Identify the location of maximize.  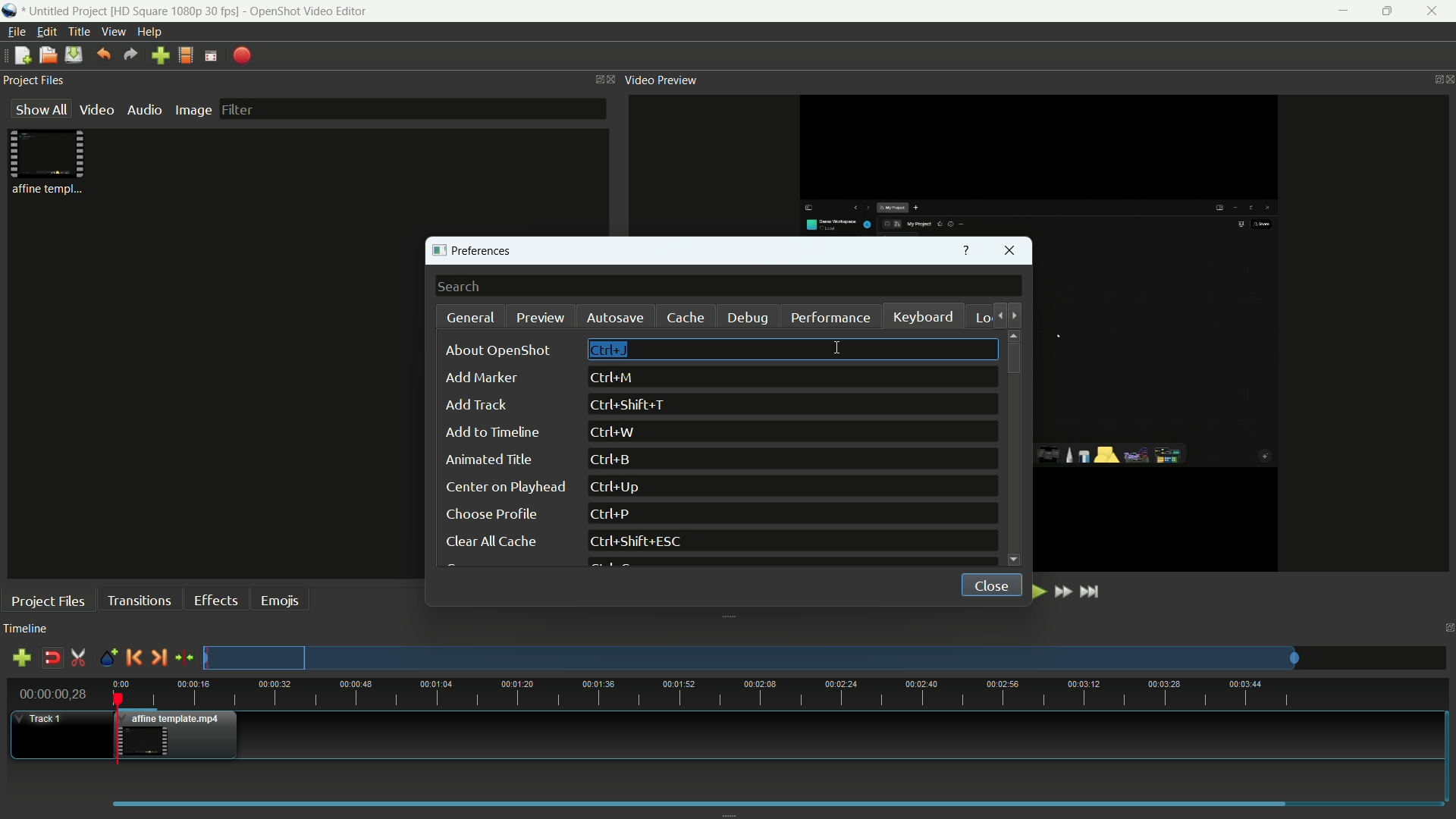
(1387, 11).